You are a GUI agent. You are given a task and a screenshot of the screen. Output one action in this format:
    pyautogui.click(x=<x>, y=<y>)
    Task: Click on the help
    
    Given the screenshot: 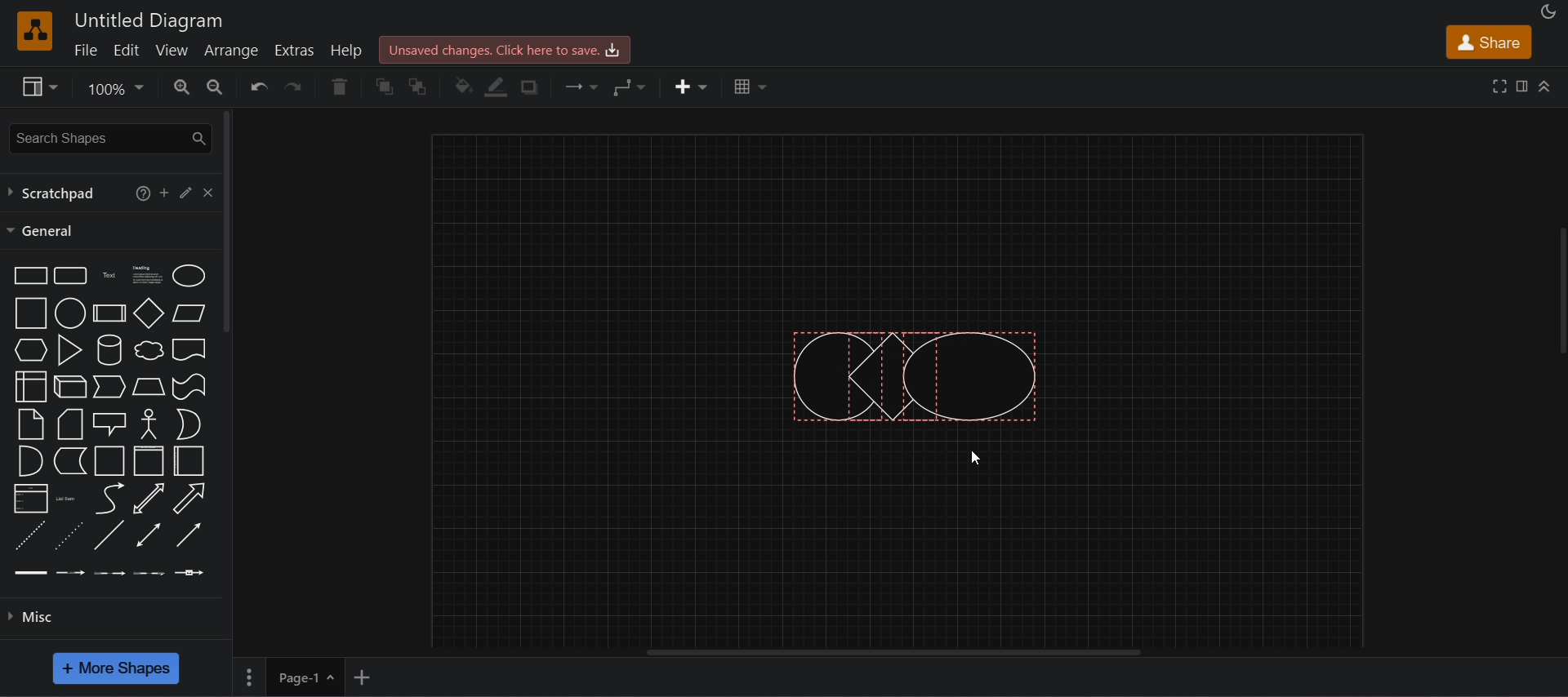 What is the action you would take?
    pyautogui.click(x=139, y=192)
    